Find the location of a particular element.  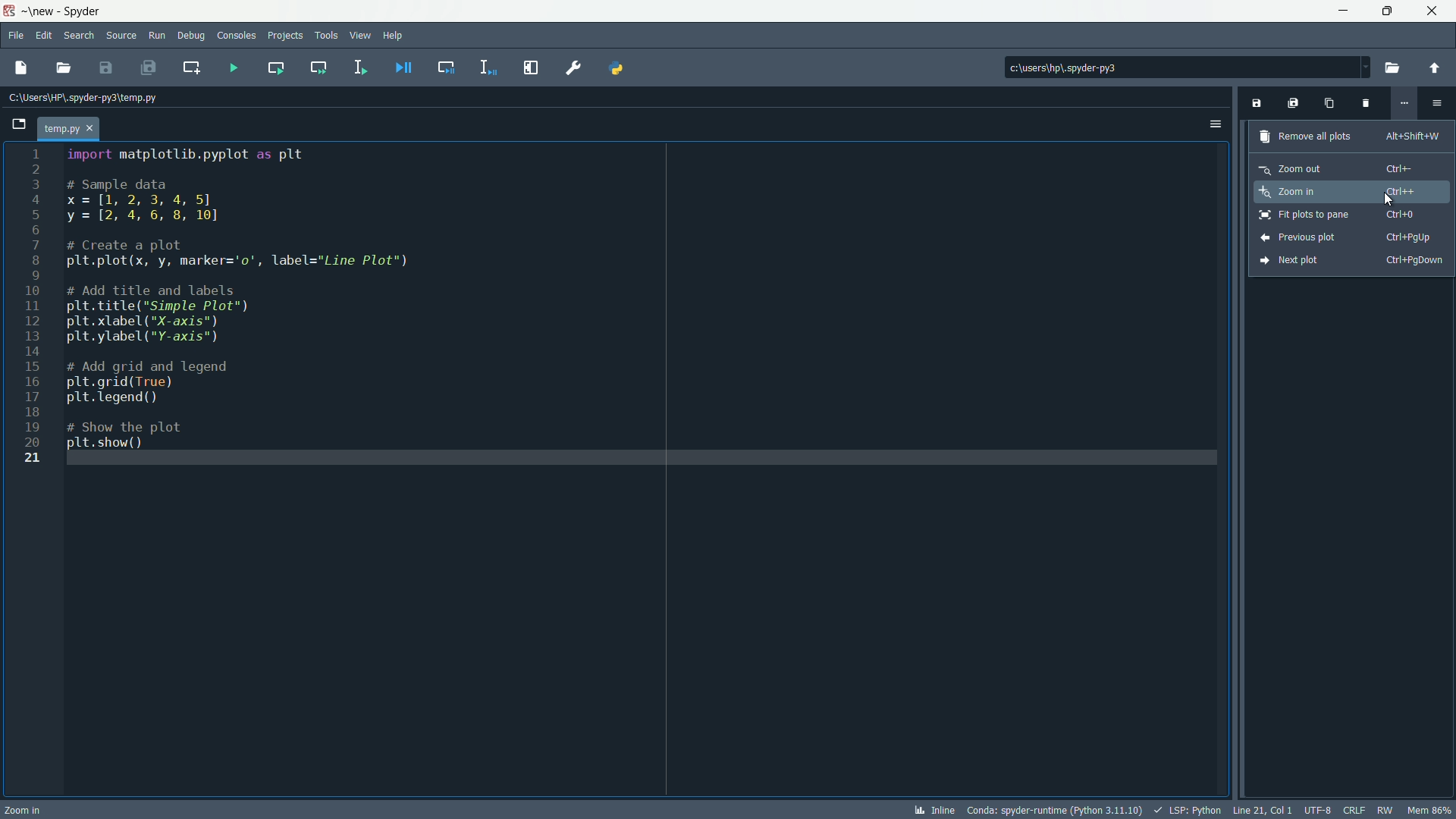

dropdrown is located at coordinates (1365, 67).